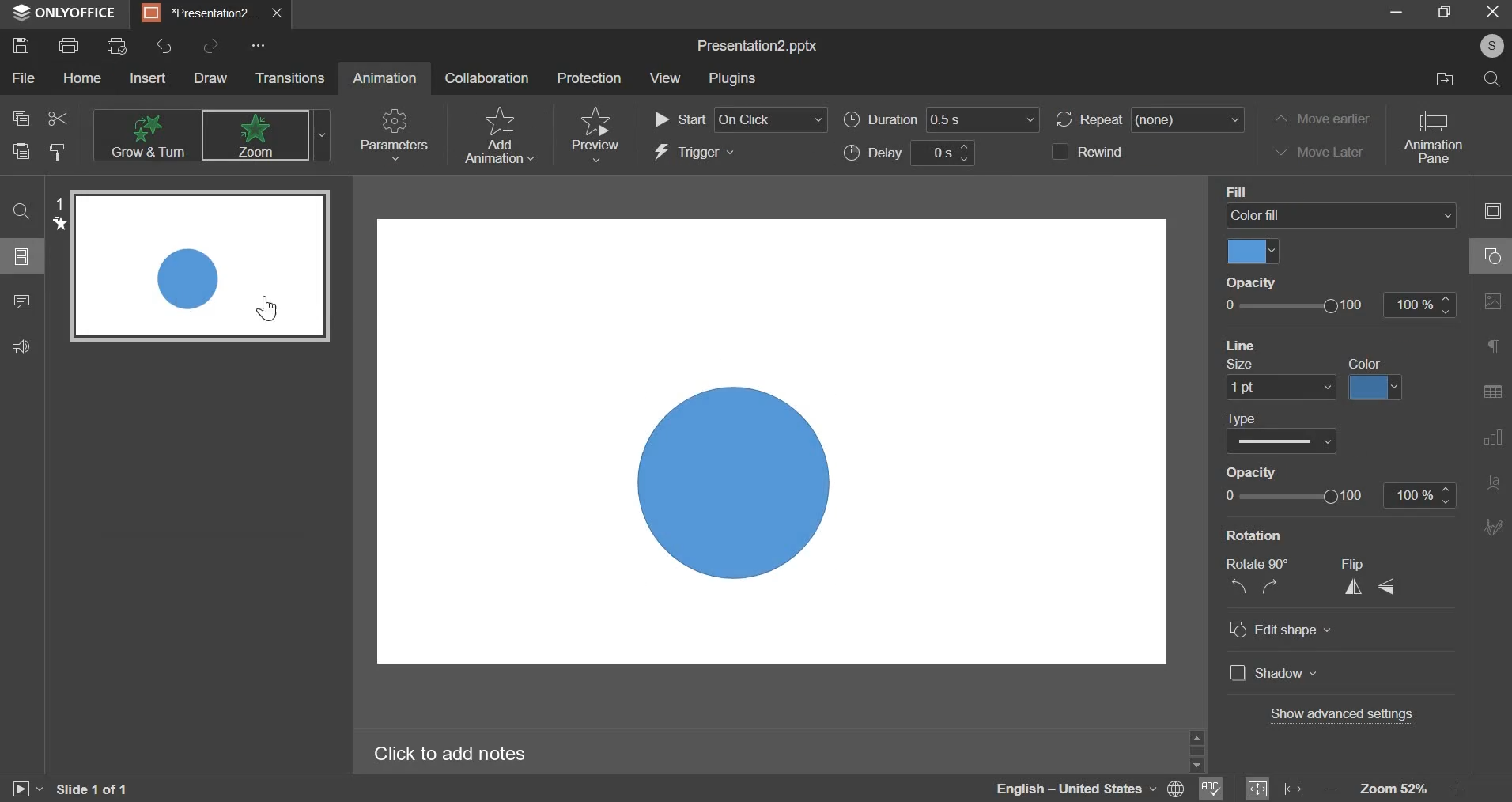 Image resolution: width=1512 pixels, height=802 pixels. I want to click on presentation, so click(211, 16).